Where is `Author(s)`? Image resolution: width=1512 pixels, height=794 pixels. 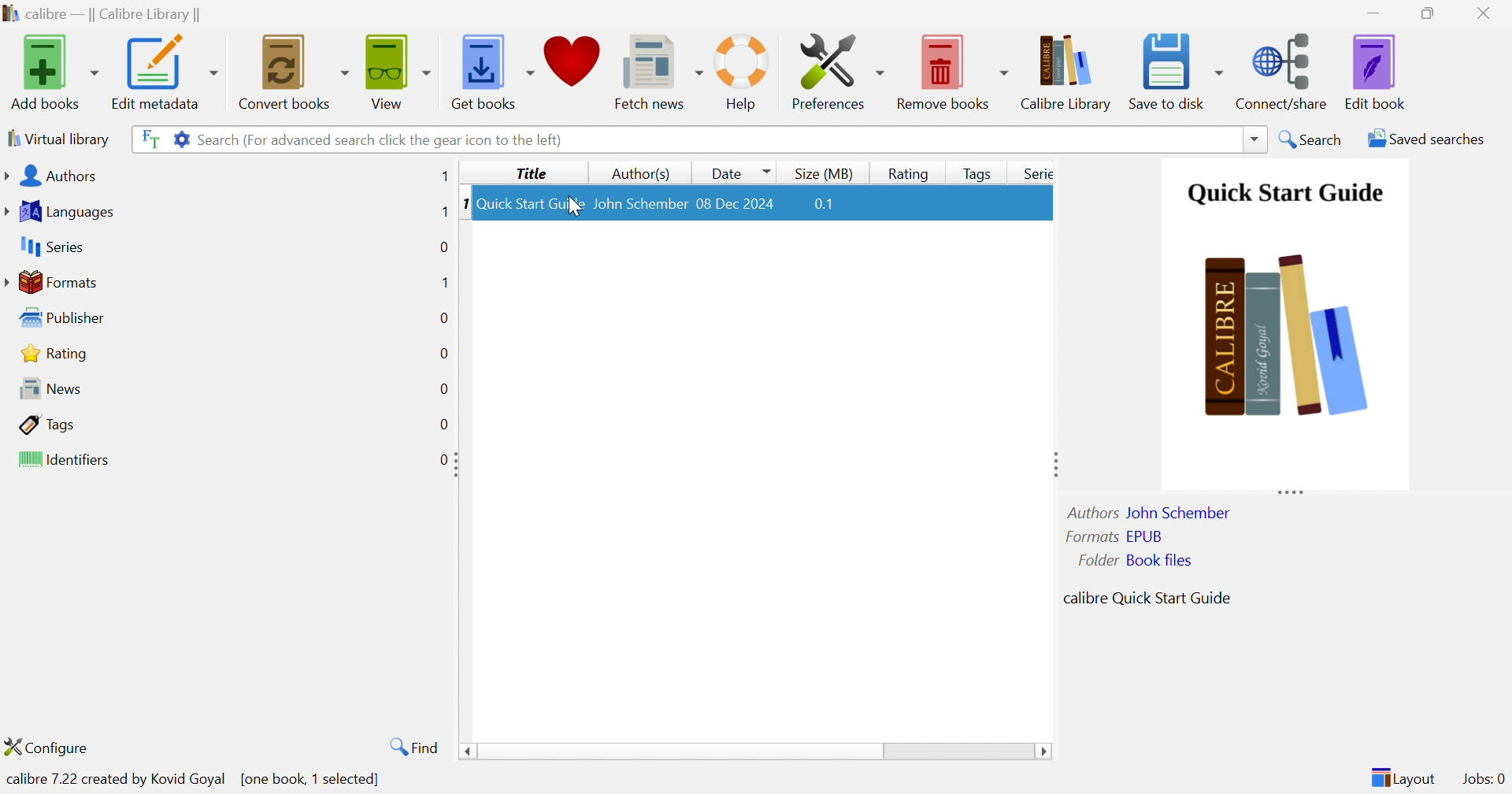
Author(s) is located at coordinates (637, 173).